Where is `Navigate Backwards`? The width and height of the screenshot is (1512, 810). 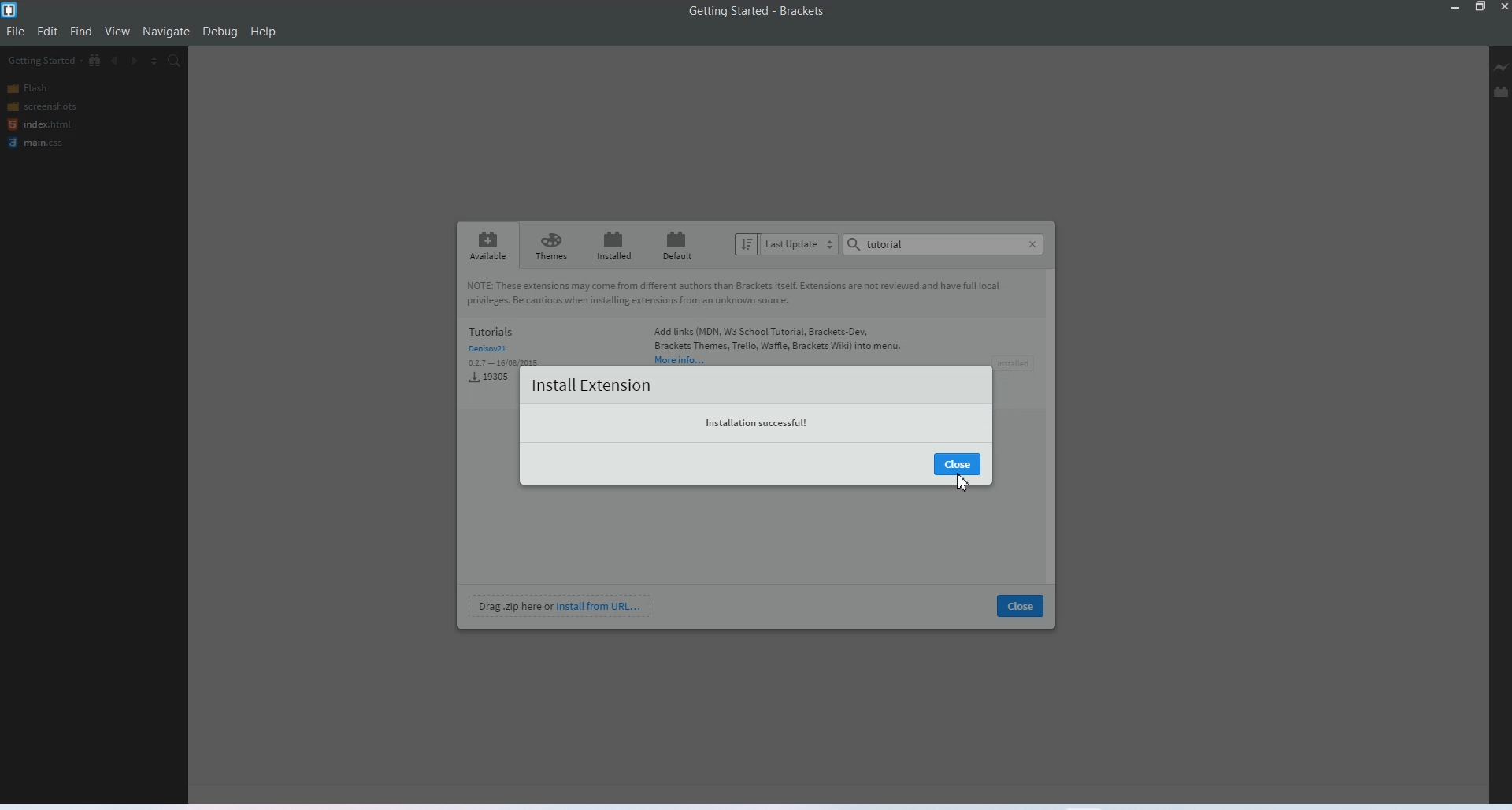
Navigate Backwards is located at coordinates (117, 61).